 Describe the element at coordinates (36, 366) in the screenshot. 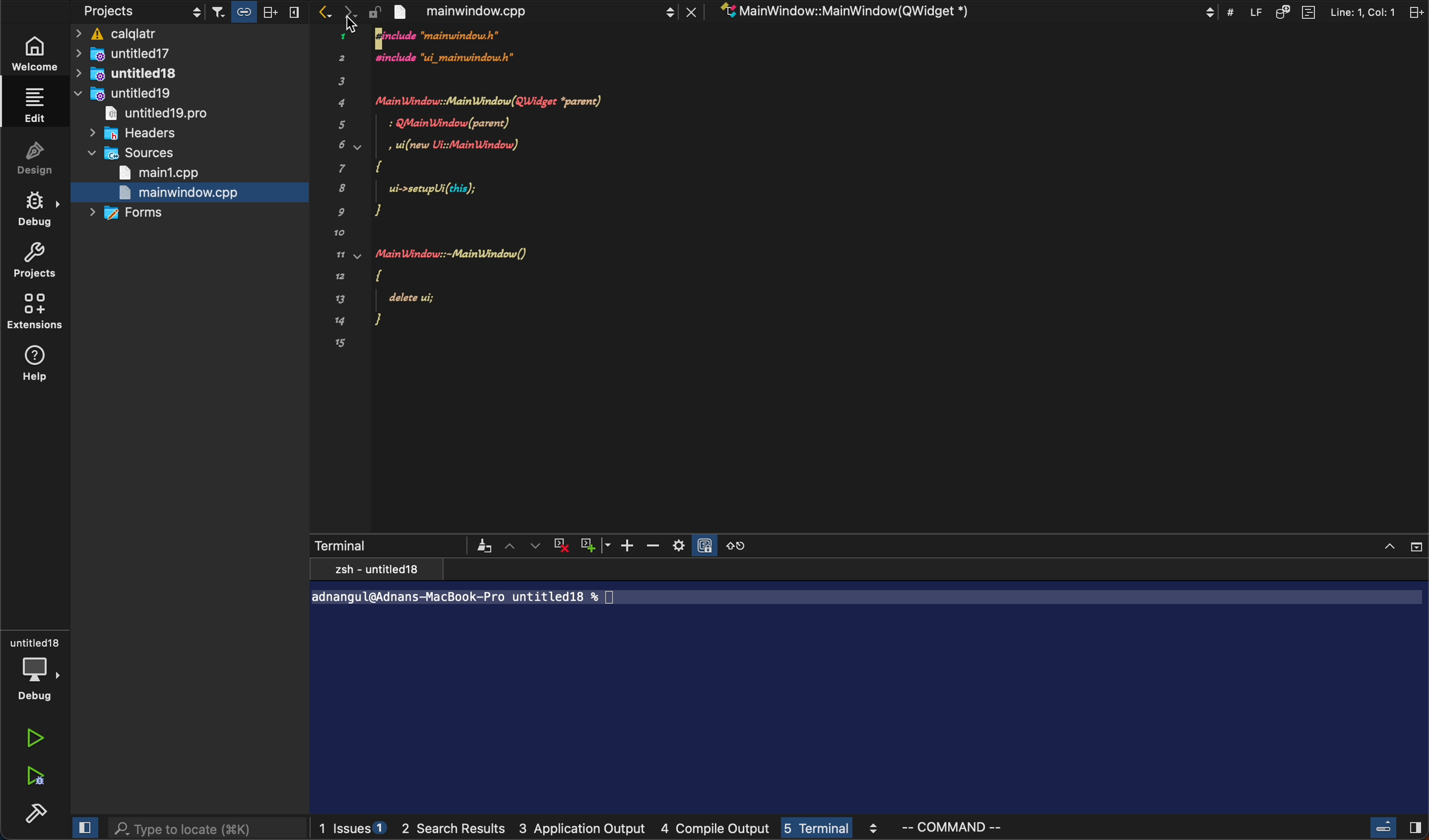

I see `help` at that location.